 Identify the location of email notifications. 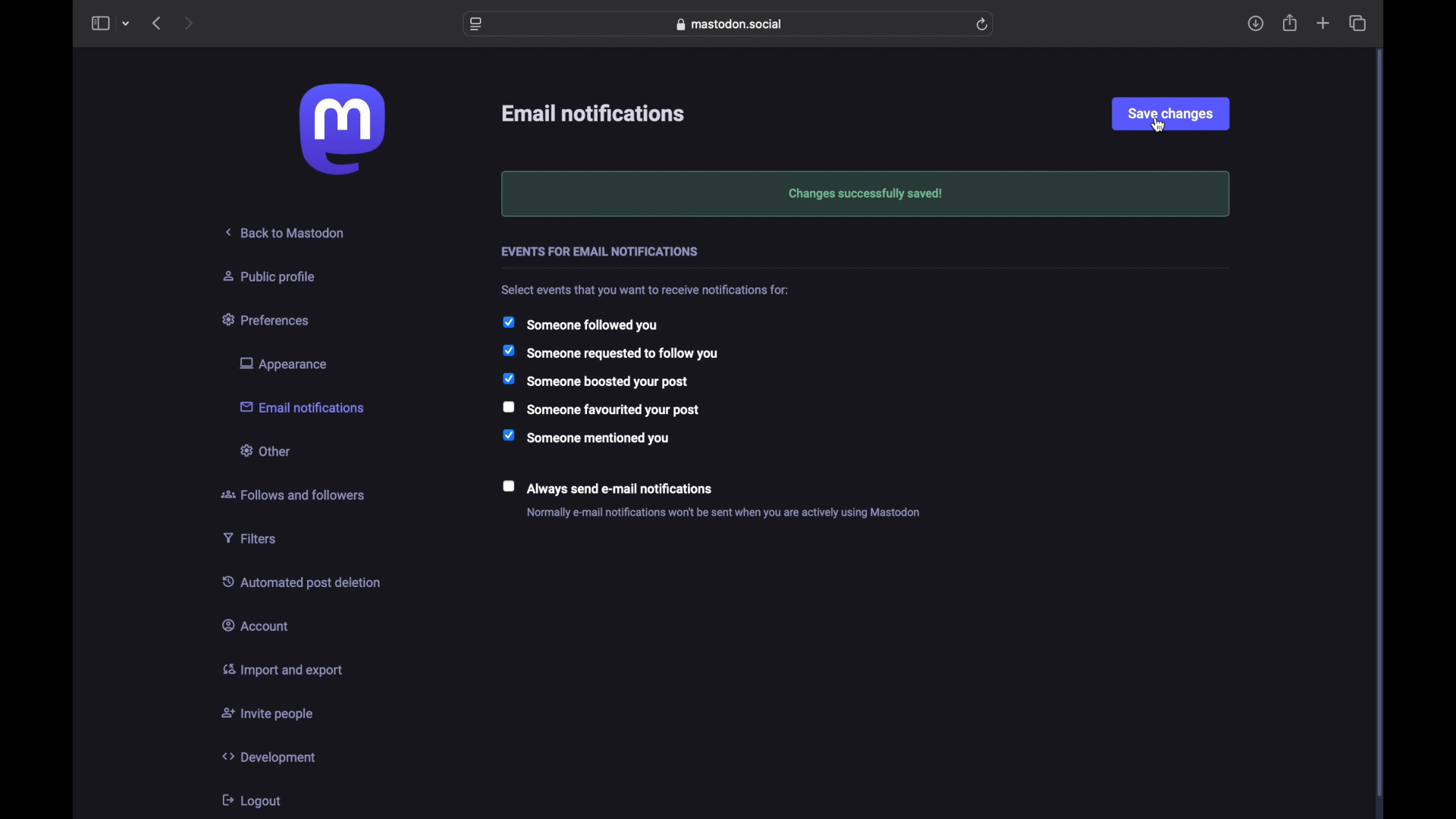
(302, 406).